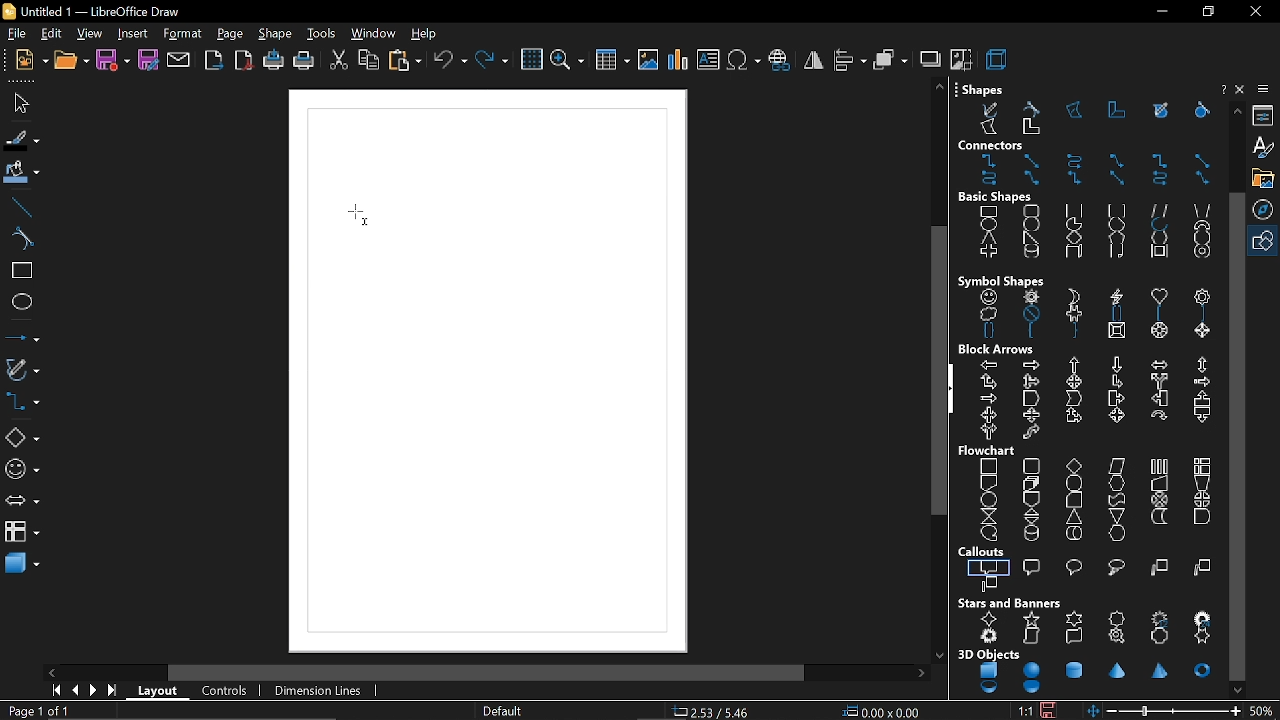  Describe the element at coordinates (214, 62) in the screenshot. I see `export` at that location.